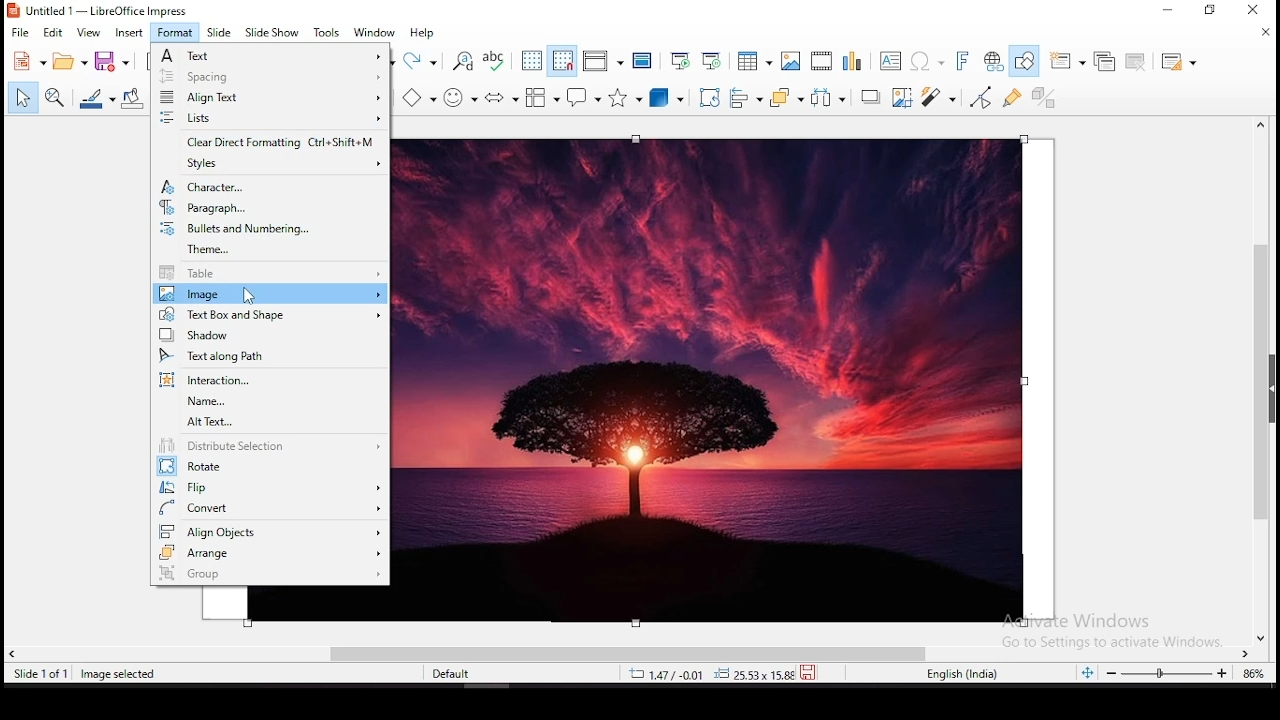  I want to click on interaction, so click(265, 380).